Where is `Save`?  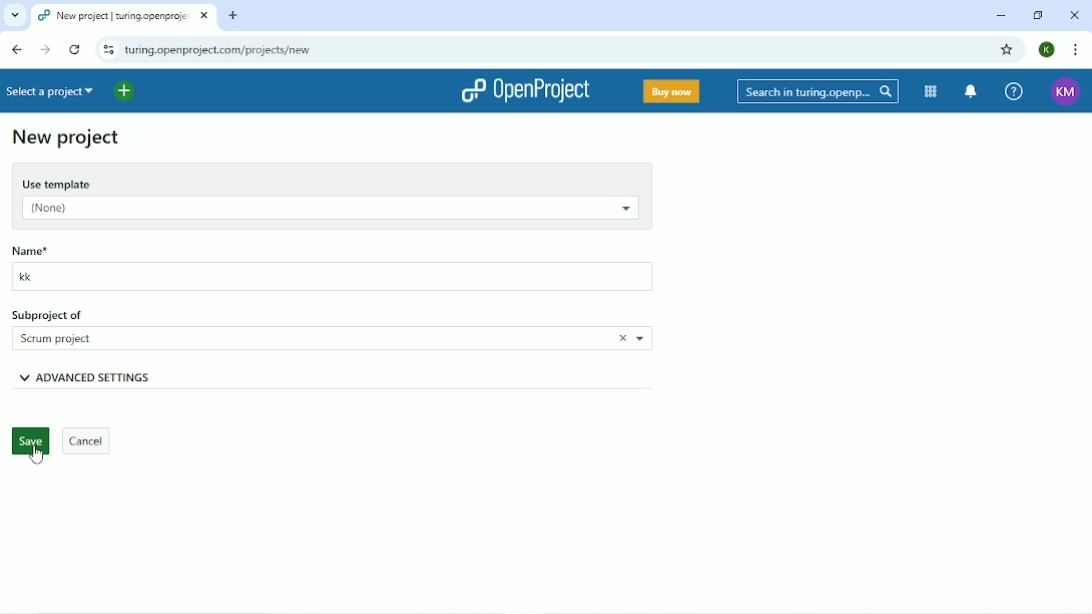
Save is located at coordinates (29, 442).